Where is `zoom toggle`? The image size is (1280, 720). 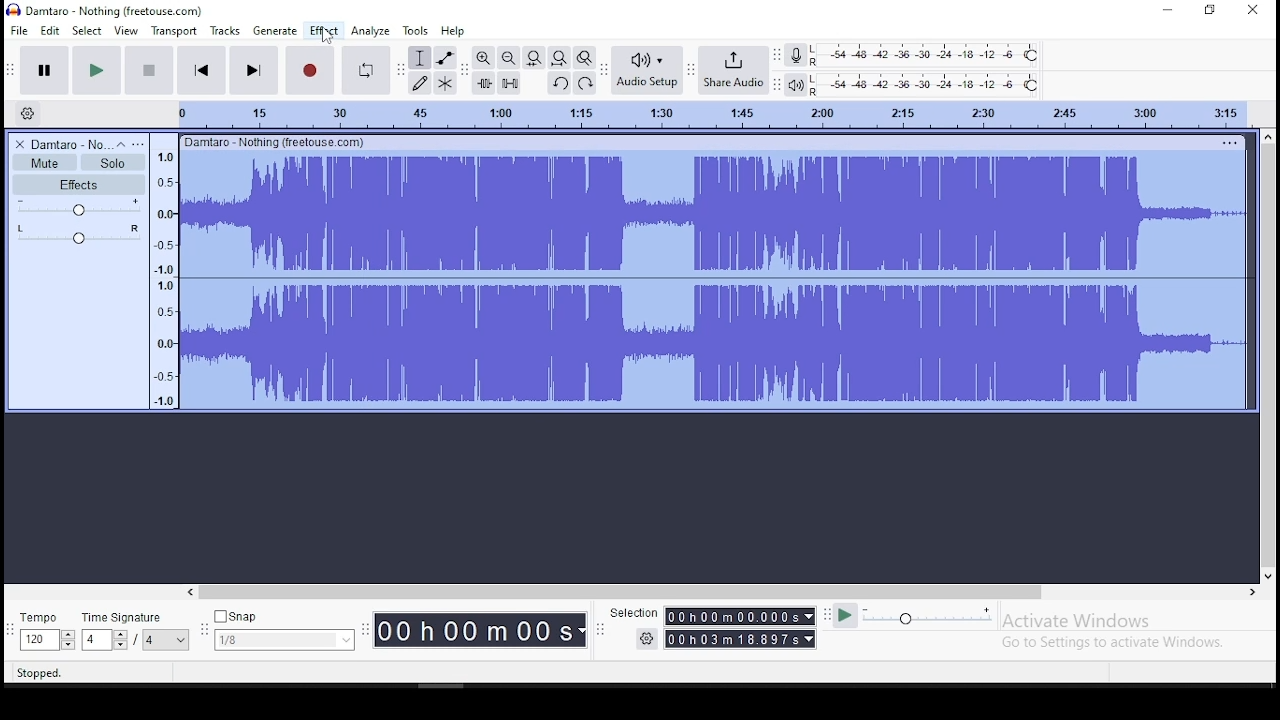
zoom toggle is located at coordinates (584, 58).